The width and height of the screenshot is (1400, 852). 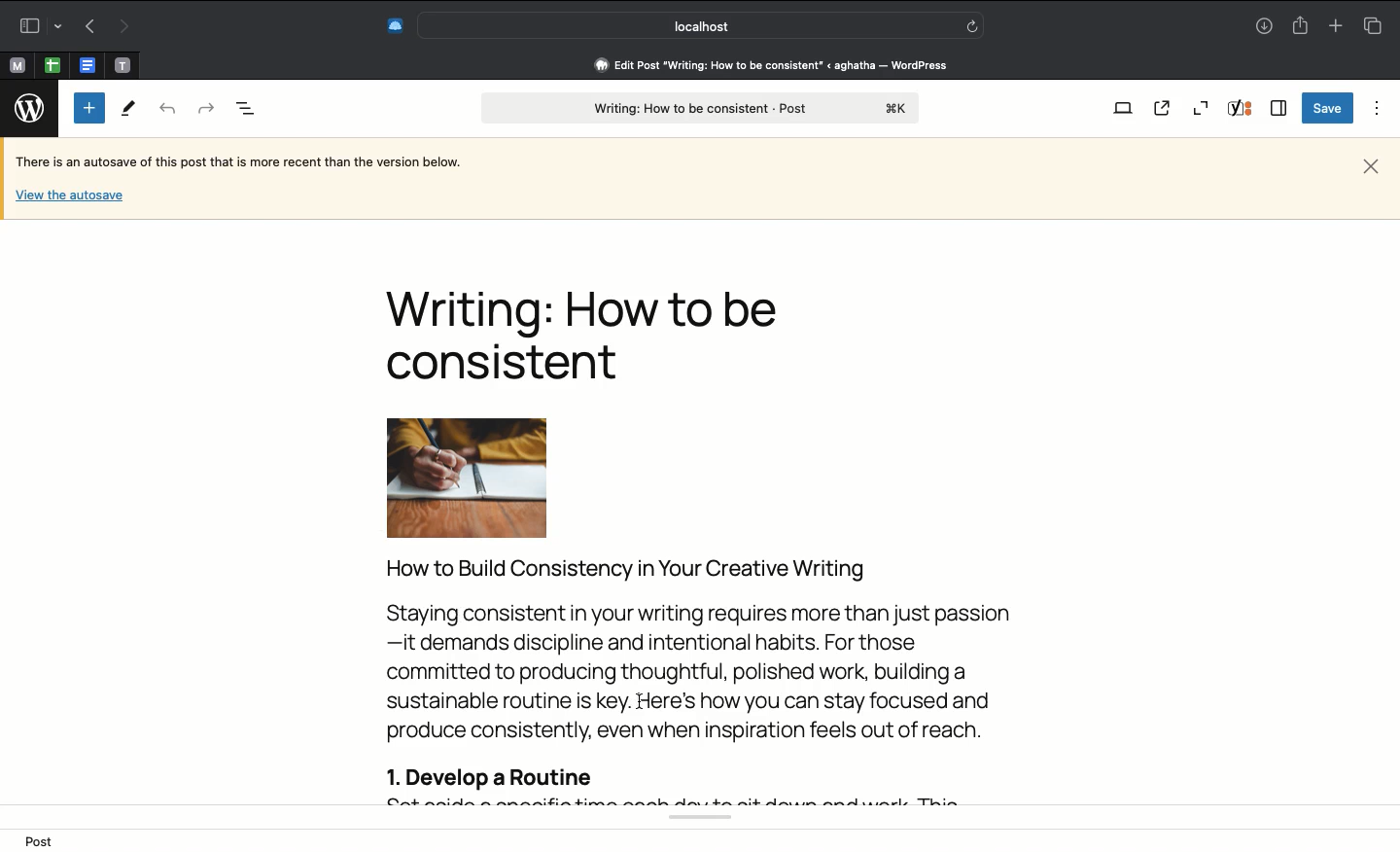 I want to click on Redo, so click(x=205, y=106).